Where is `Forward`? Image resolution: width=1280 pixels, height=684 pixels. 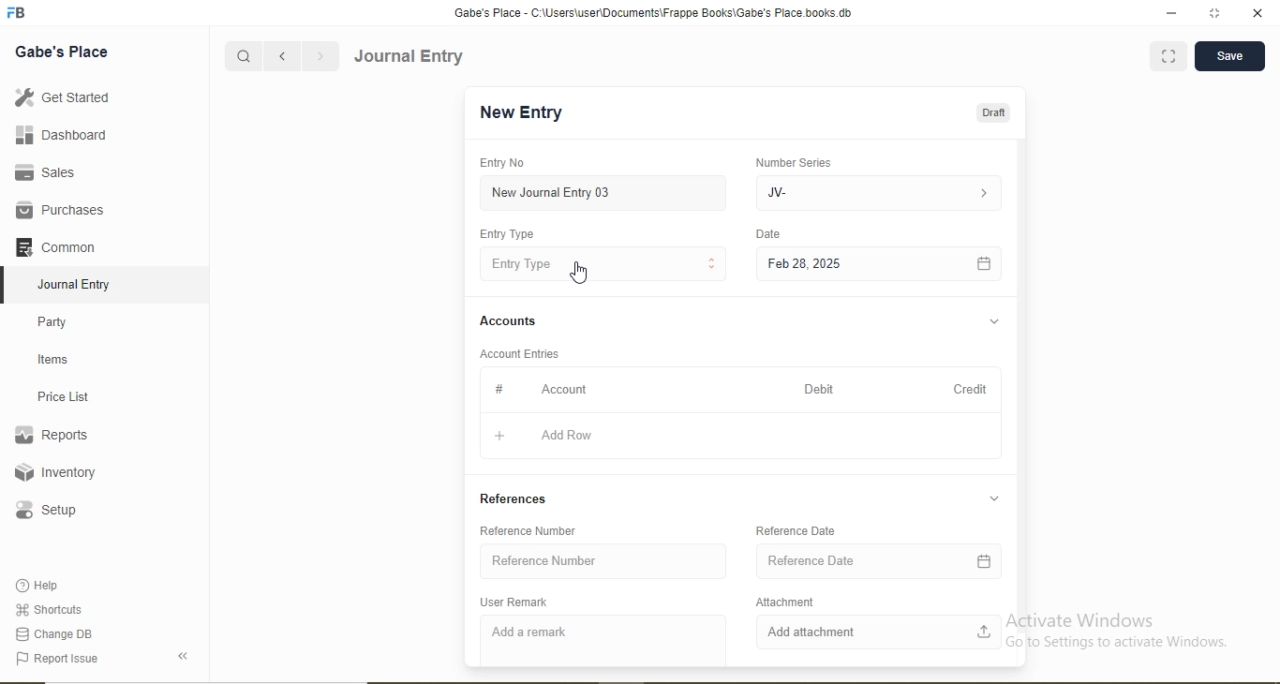 Forward is located at coordinates (321, 56).